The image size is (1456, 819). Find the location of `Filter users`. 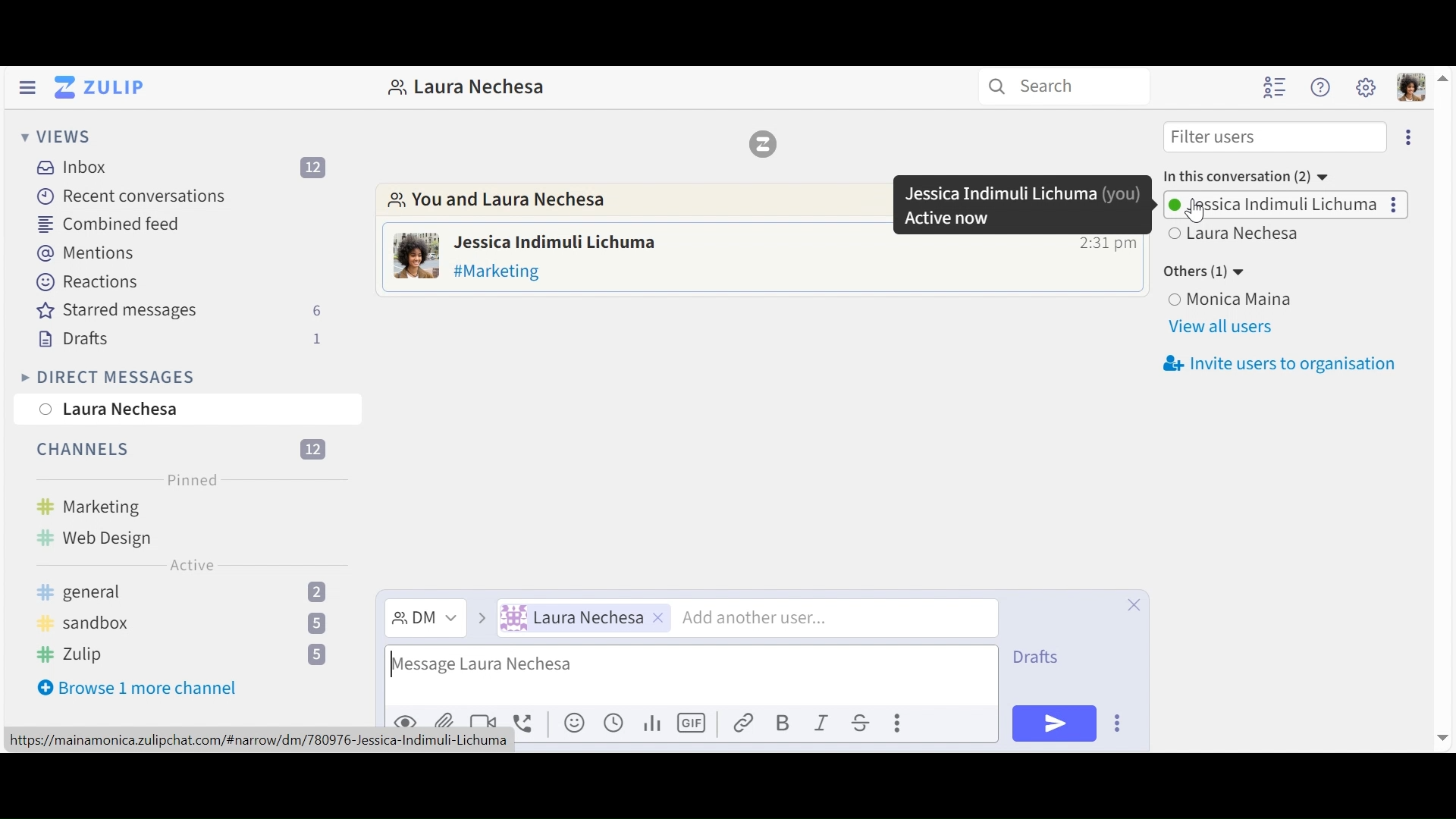

Filter users is located at coordinates (1274, 137).